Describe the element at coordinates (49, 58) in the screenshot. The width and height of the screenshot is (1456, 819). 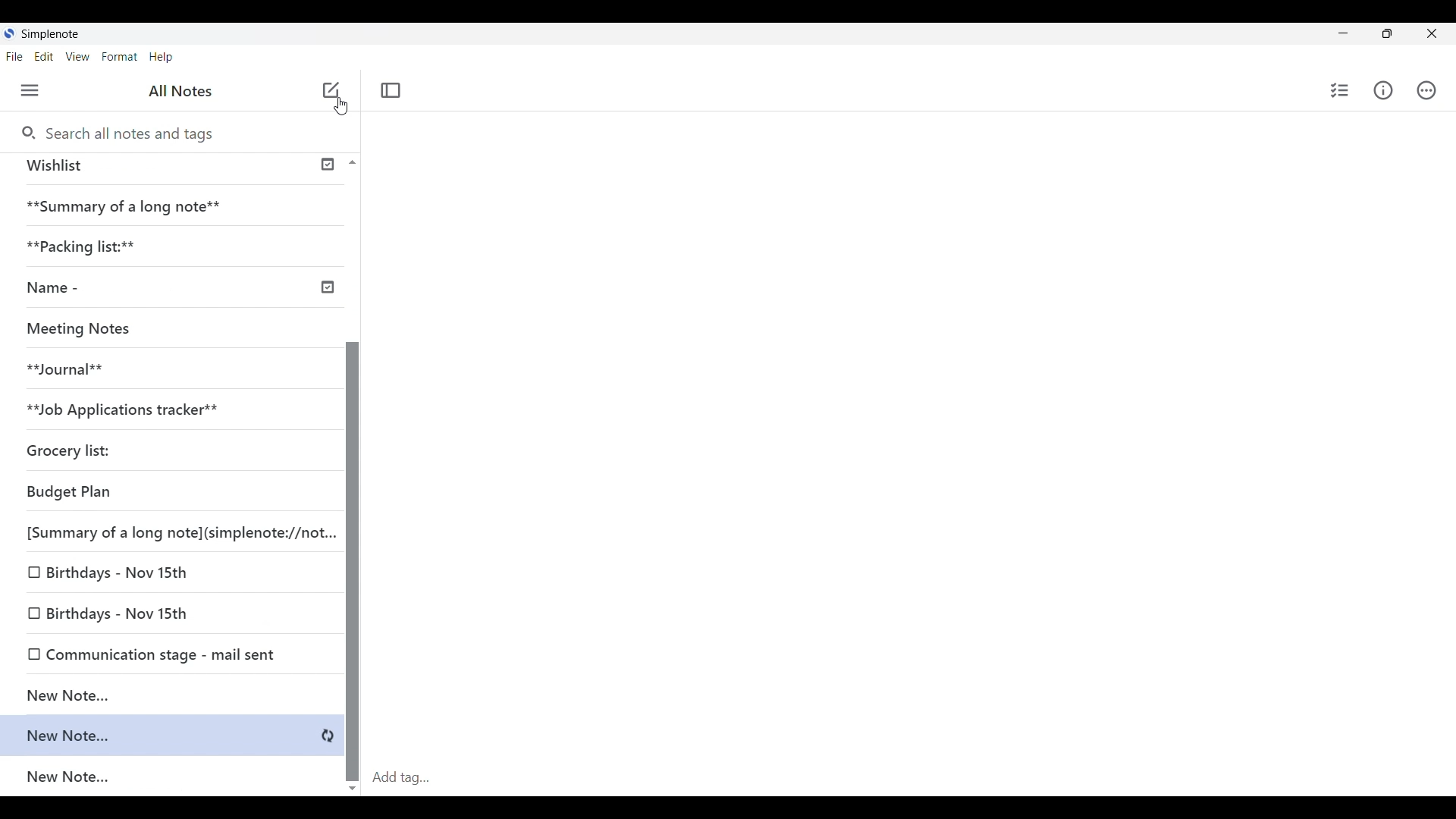
I see `Edit` at that location.